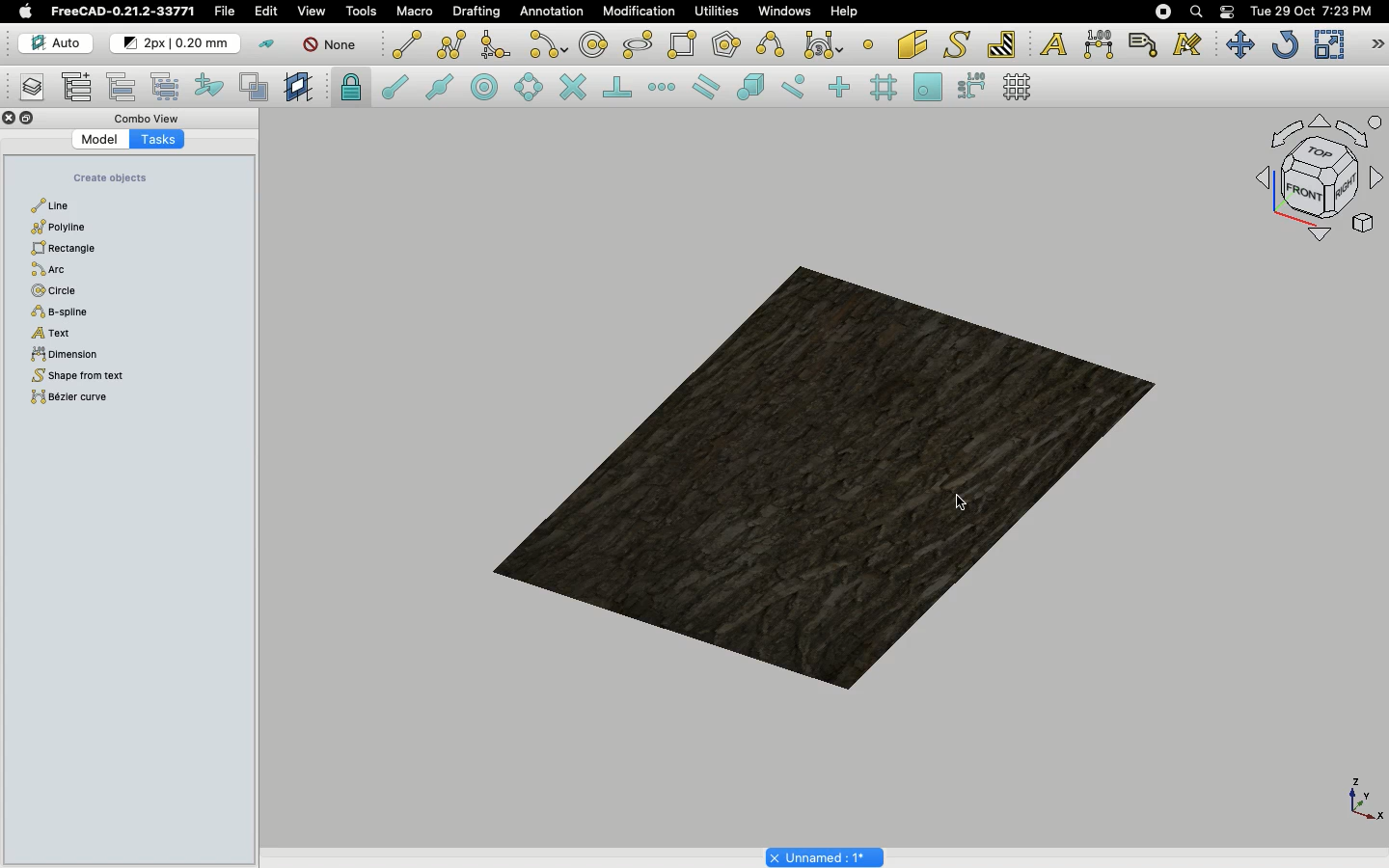  I want to click on Snap intersection, so click(572, 85).